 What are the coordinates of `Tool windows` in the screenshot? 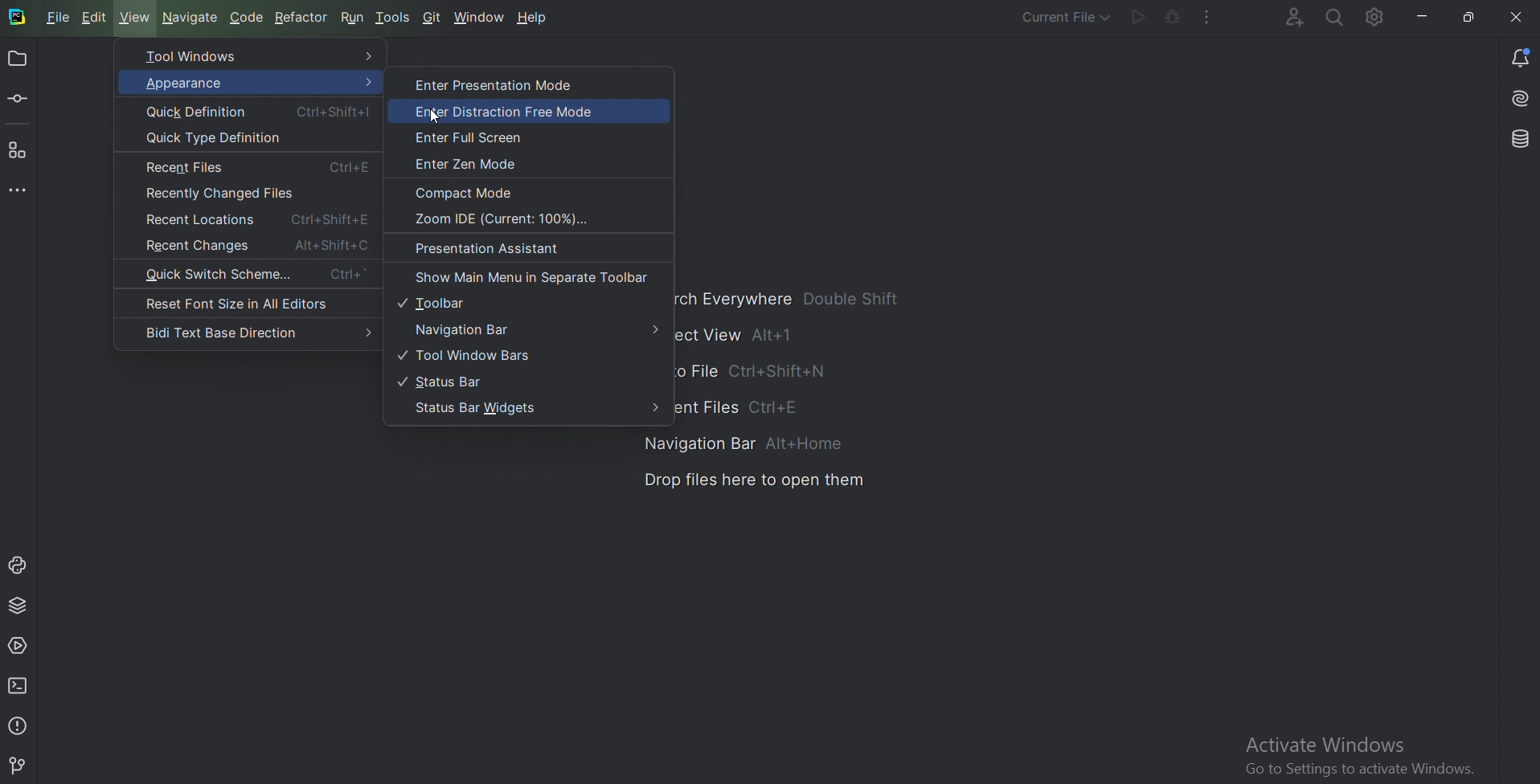 It's located at (254, 58).